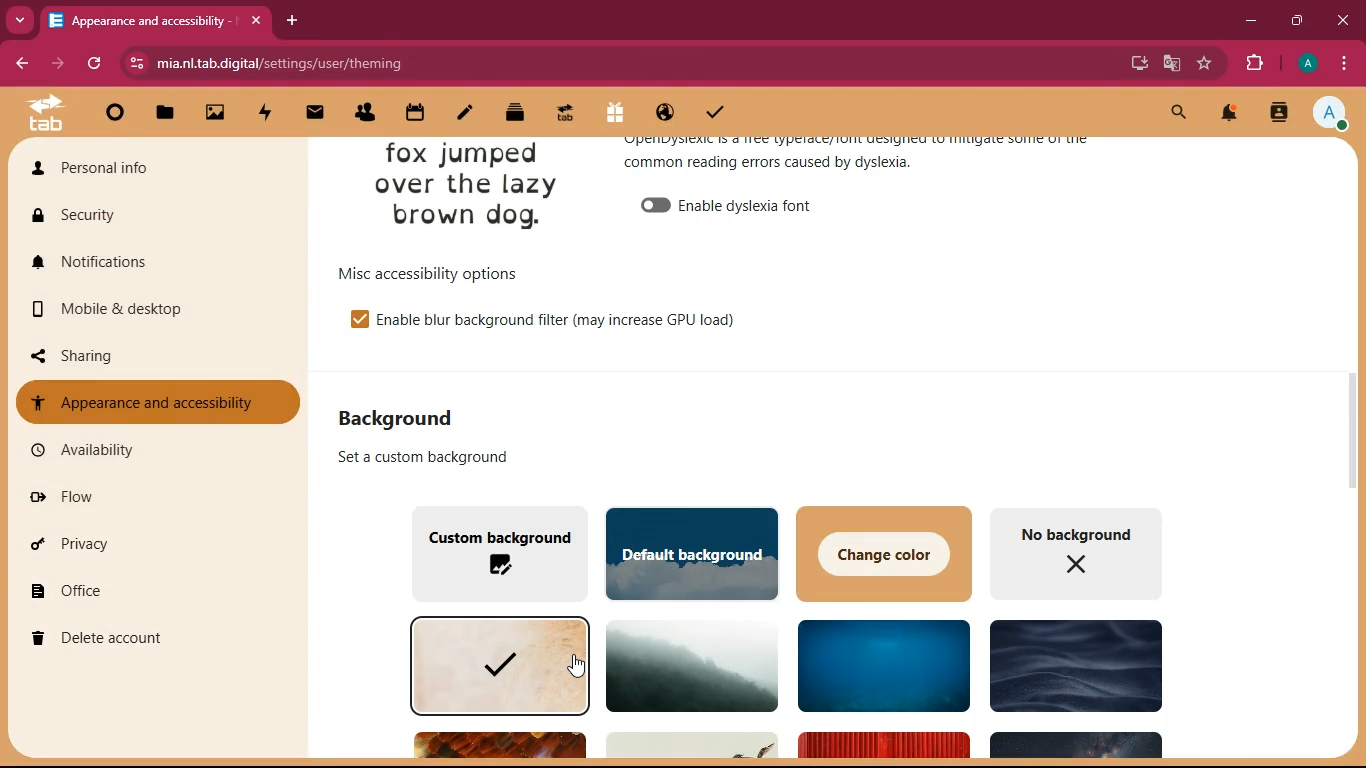 The height and width of the screenshot is (768, 1366). I want to click on more, so click(20, 20).